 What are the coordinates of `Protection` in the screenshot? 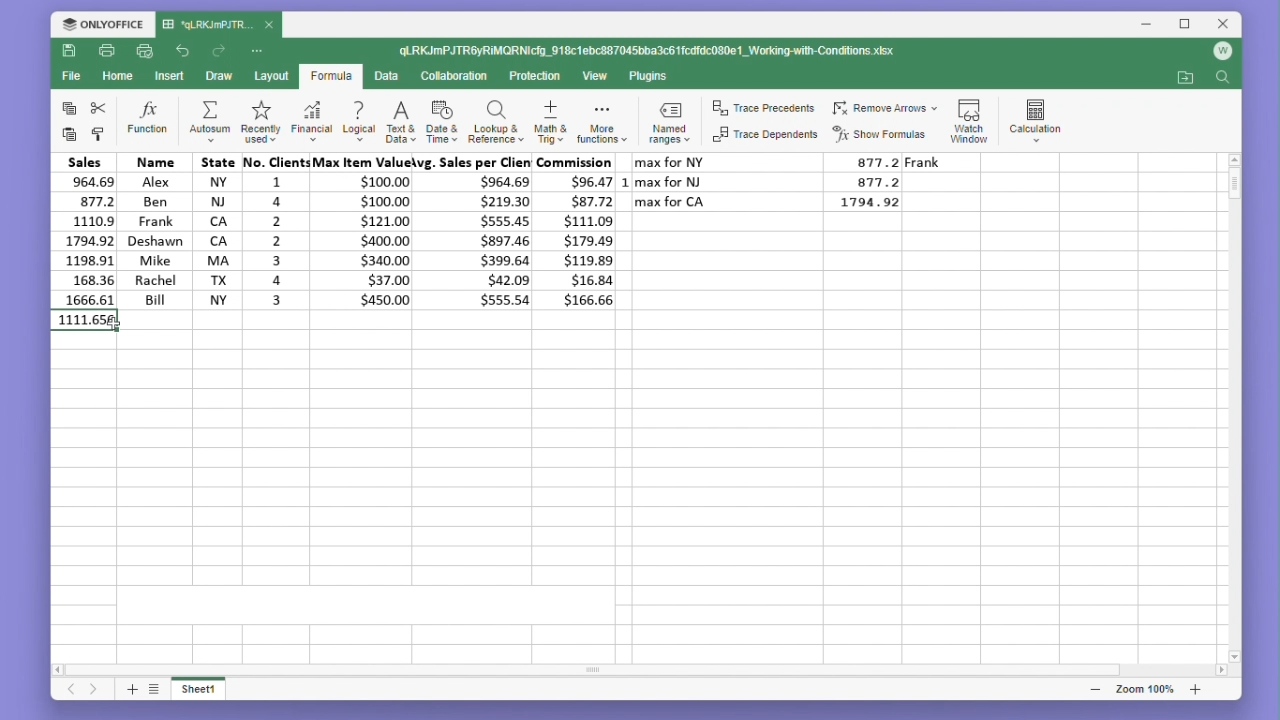 It's located at (533, 77).